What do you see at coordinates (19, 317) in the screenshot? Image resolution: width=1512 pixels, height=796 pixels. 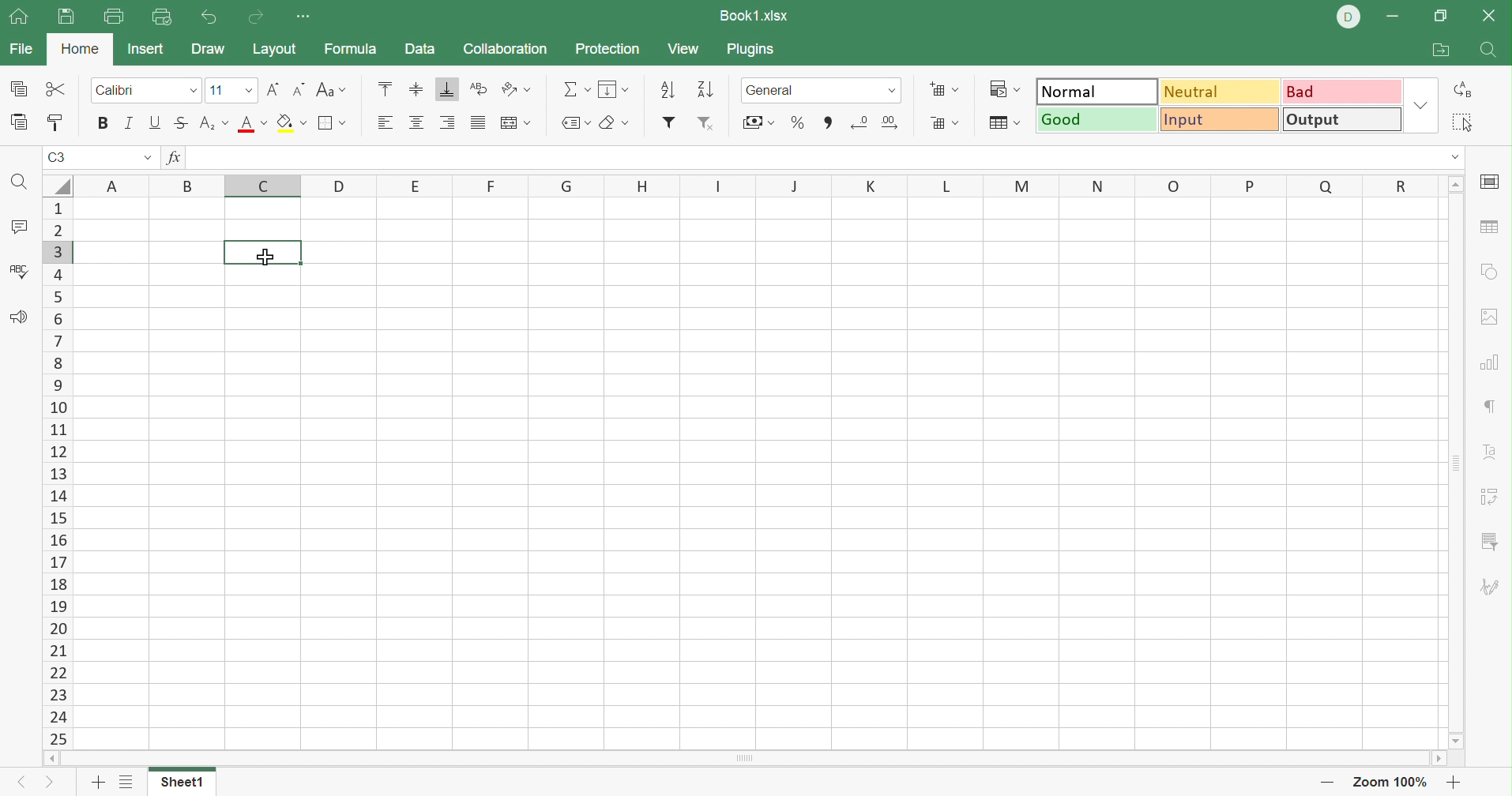 I see `Feedback & comments` at bounding box center [19, 317].